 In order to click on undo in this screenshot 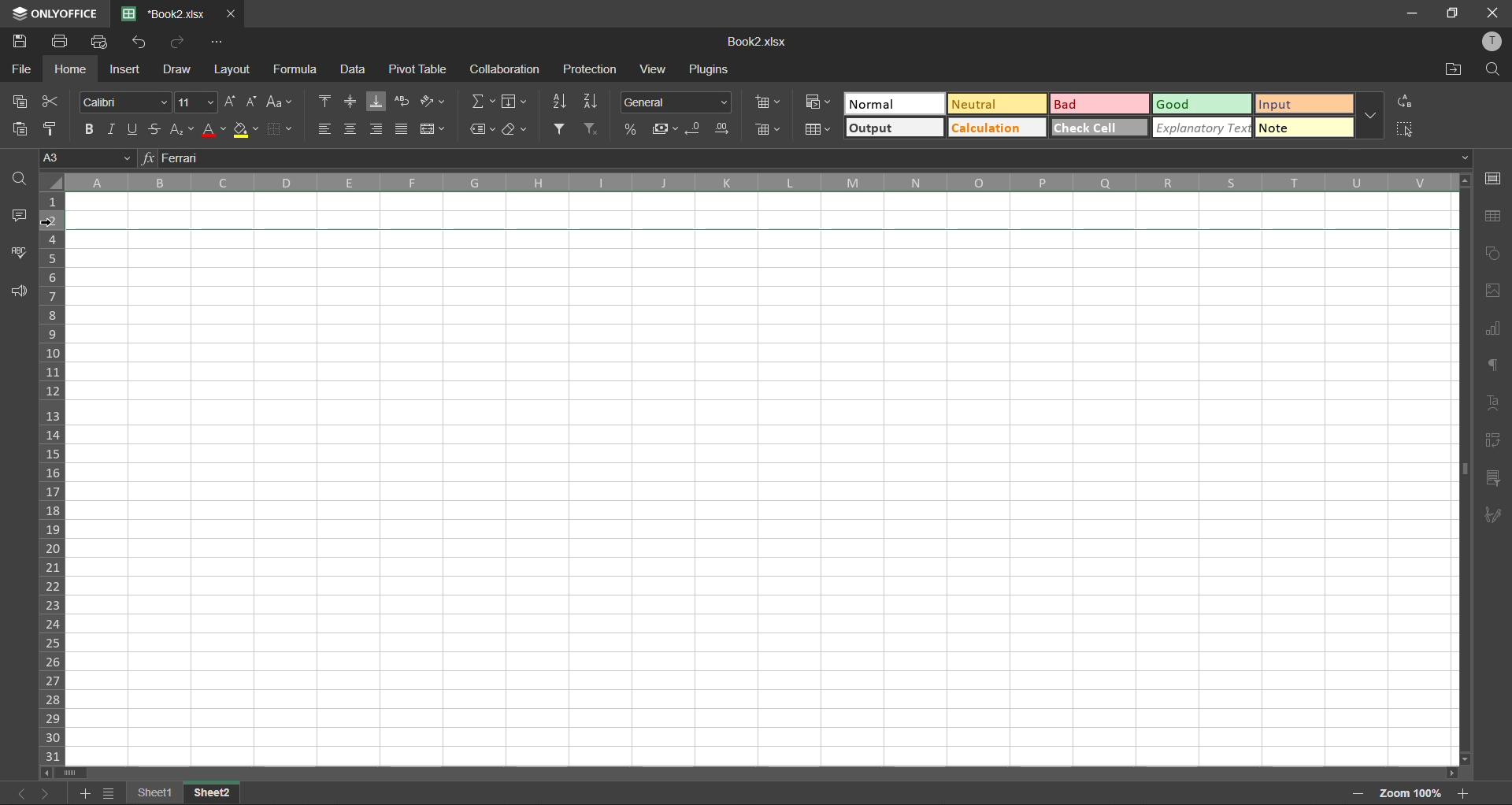, I will do `click(139, 43)`.